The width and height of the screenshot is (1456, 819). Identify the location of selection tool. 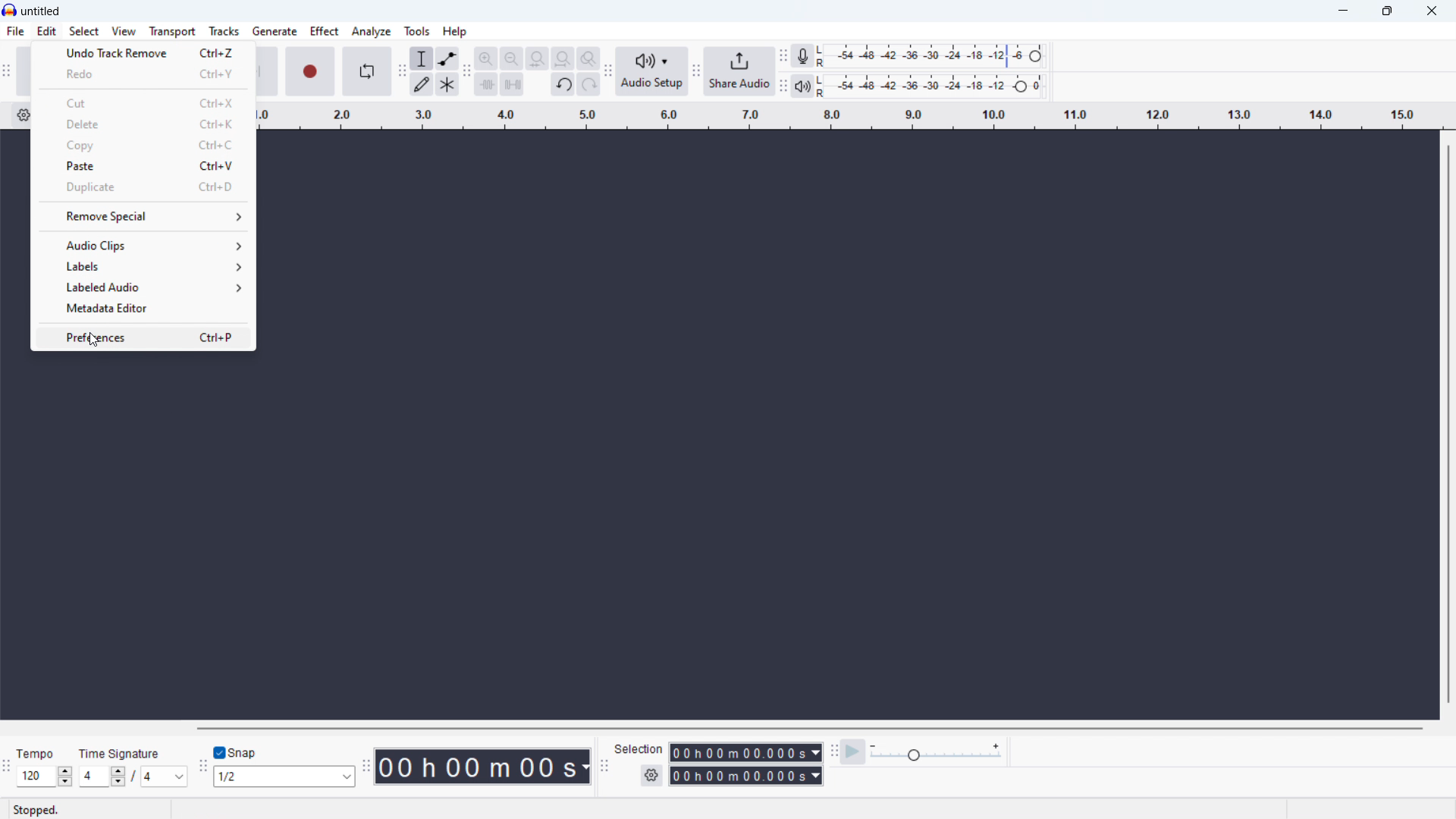
(421, 58).